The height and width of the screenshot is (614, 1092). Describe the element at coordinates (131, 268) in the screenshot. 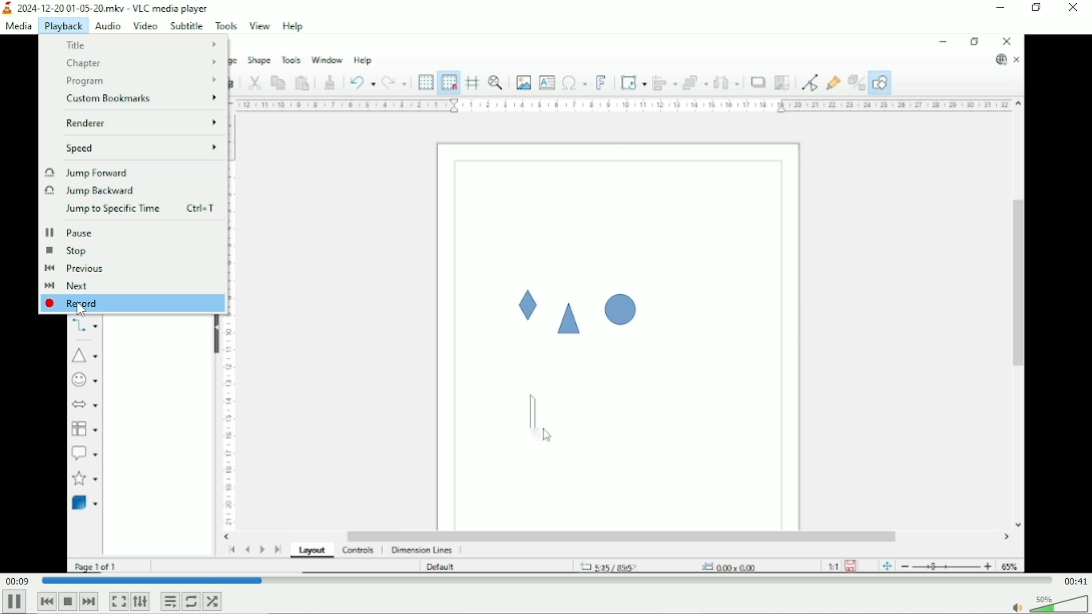

I see `Previous` at that location.